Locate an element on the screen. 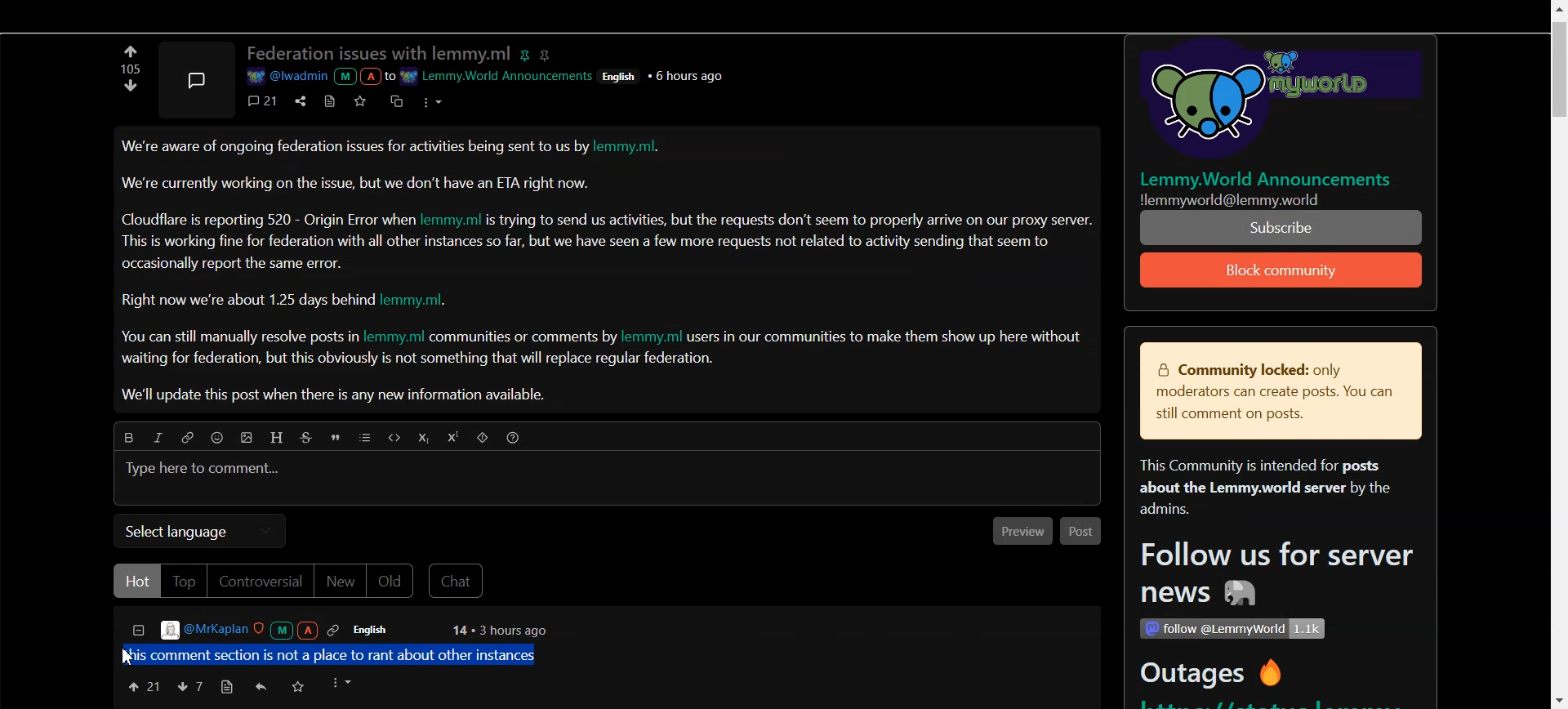 The image size is (1568, 709). We'll update this post when there is any new information available. is located at coordinates (336, 395).